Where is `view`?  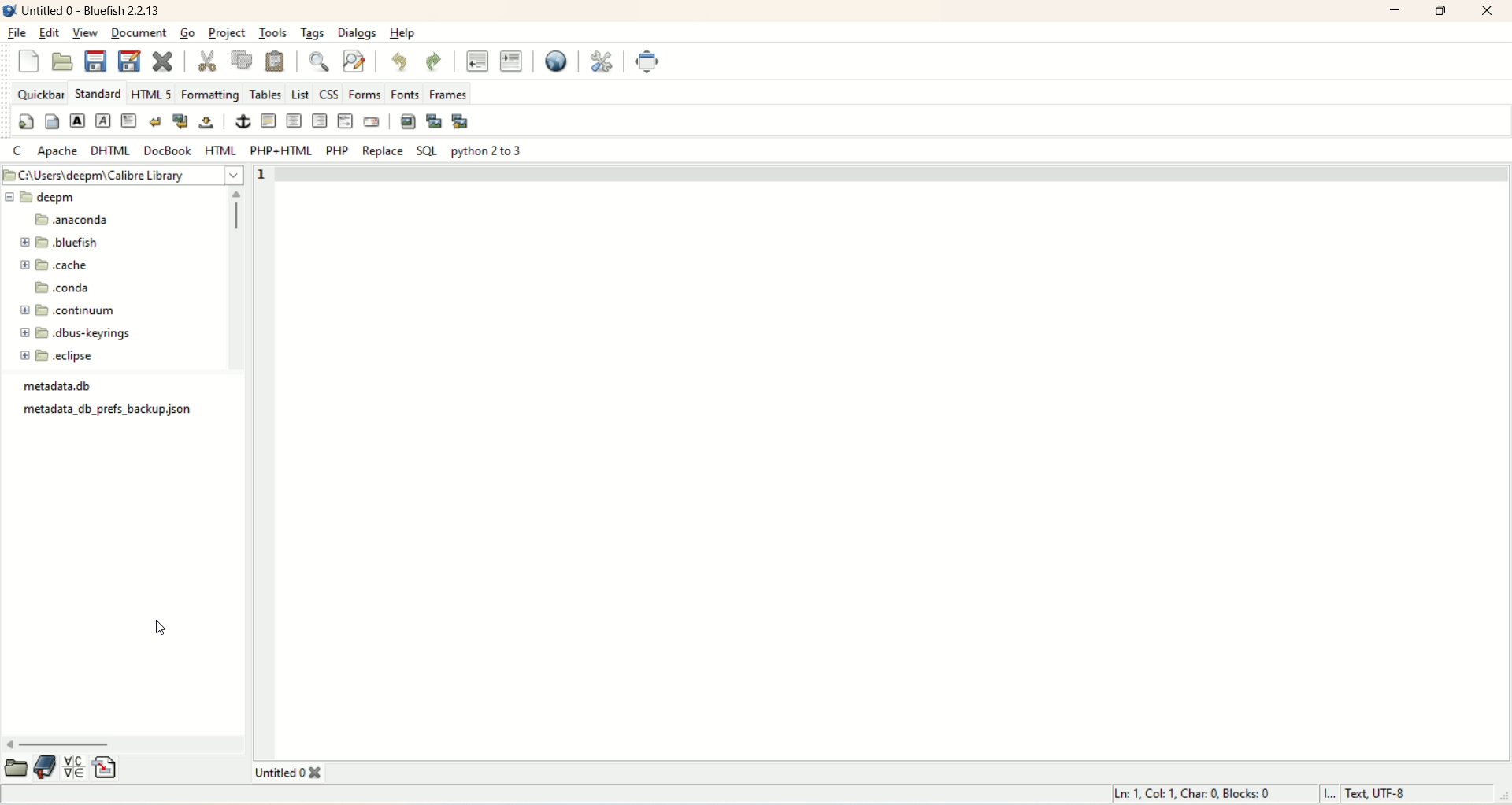
view is located at coordinates (86, 34).